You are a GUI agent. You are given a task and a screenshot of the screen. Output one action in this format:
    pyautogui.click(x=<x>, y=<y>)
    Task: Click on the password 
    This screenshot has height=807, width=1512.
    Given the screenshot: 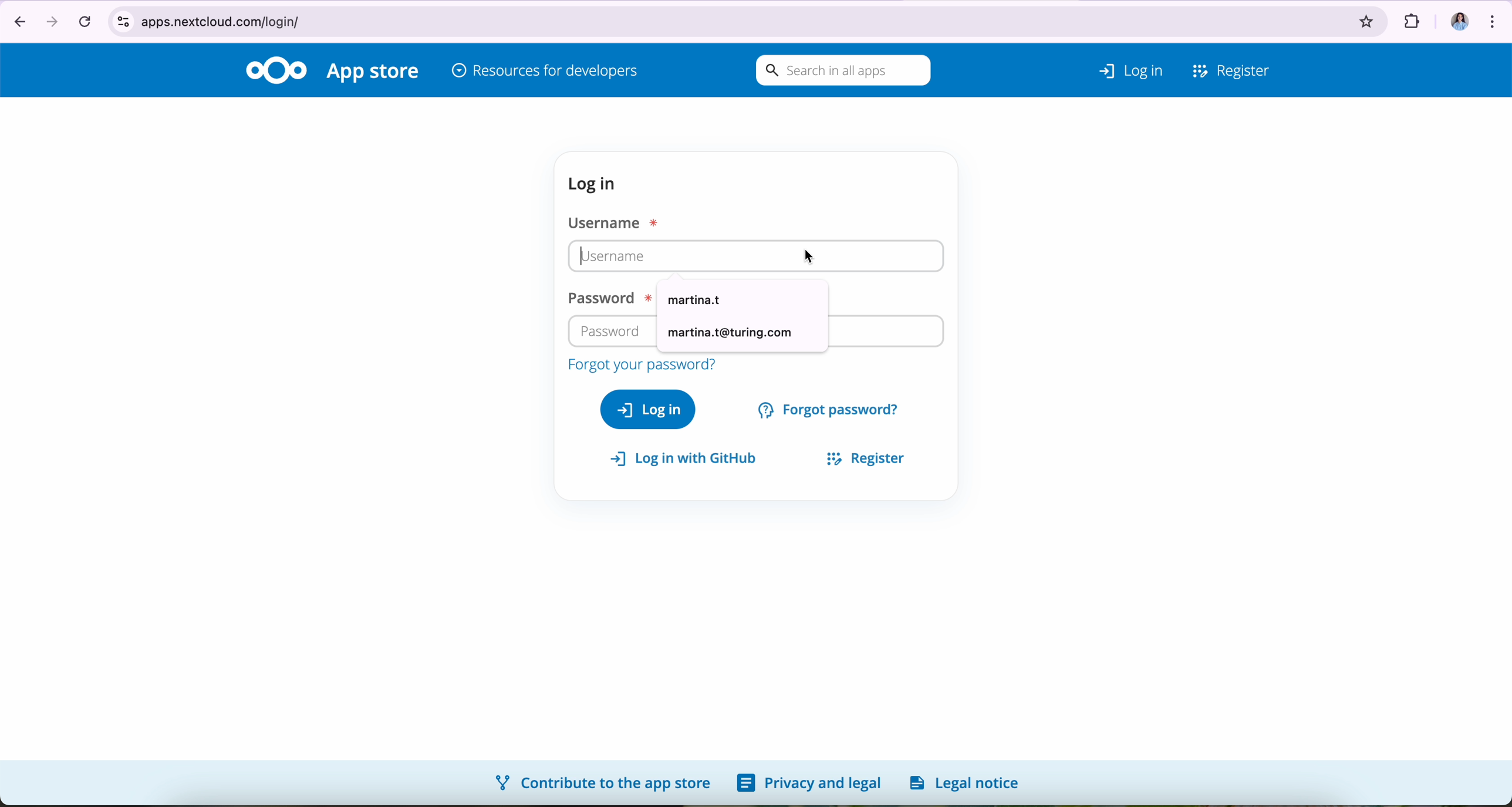 What is the action you would take?
    pyautogui.click(x=606, y=299)
    